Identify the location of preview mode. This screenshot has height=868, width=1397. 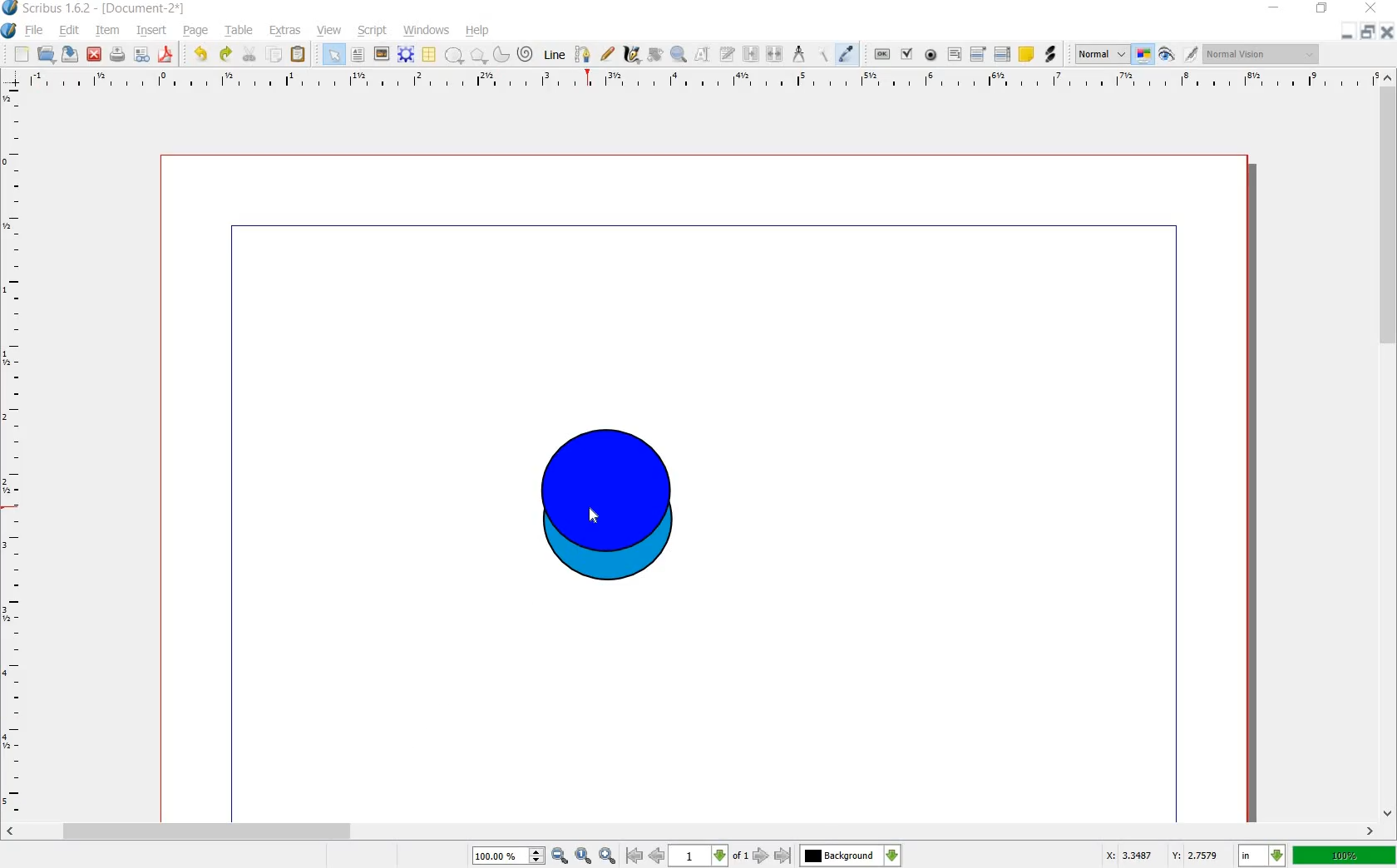
(1166, 57).